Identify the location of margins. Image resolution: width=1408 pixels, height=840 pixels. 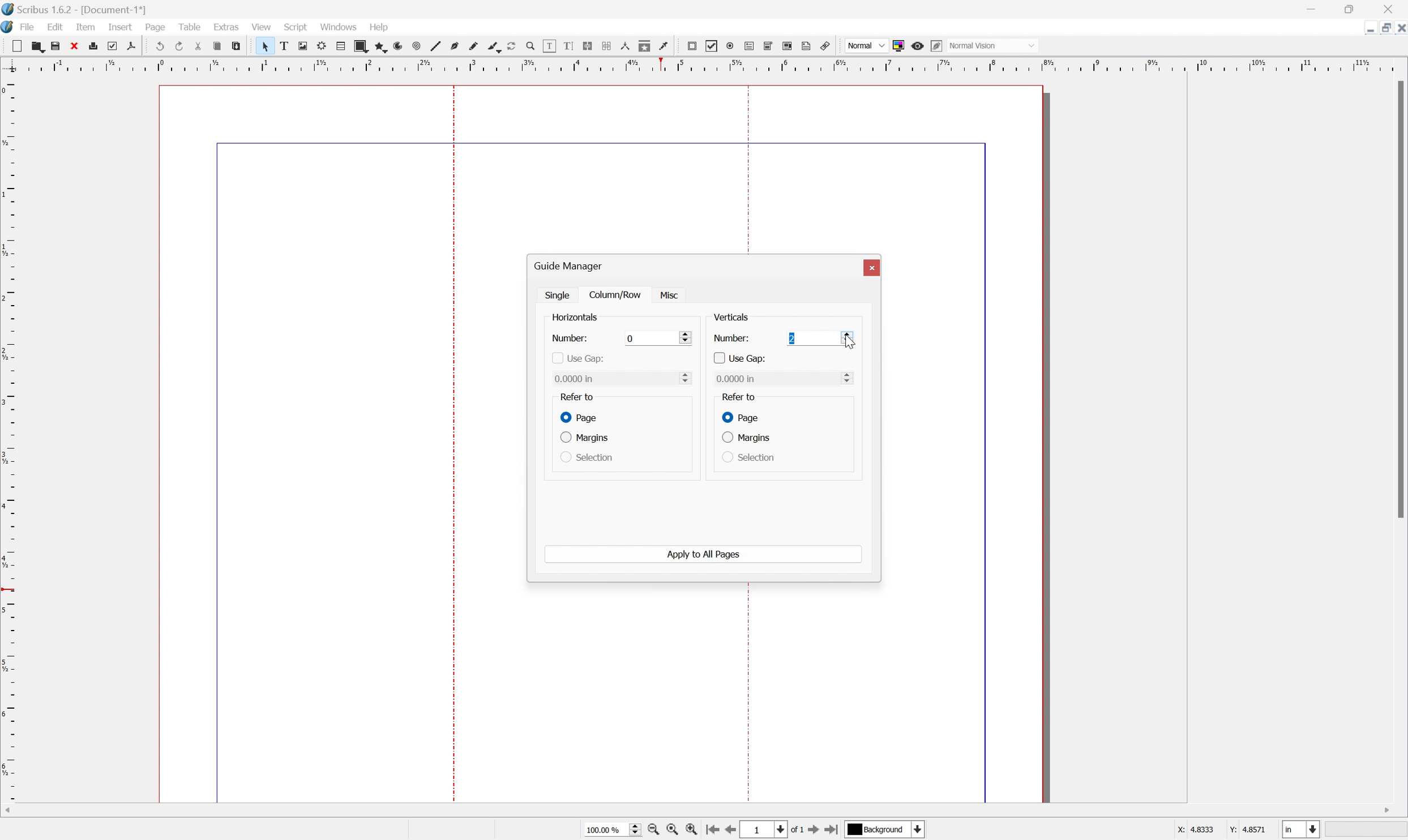
(747, 437).